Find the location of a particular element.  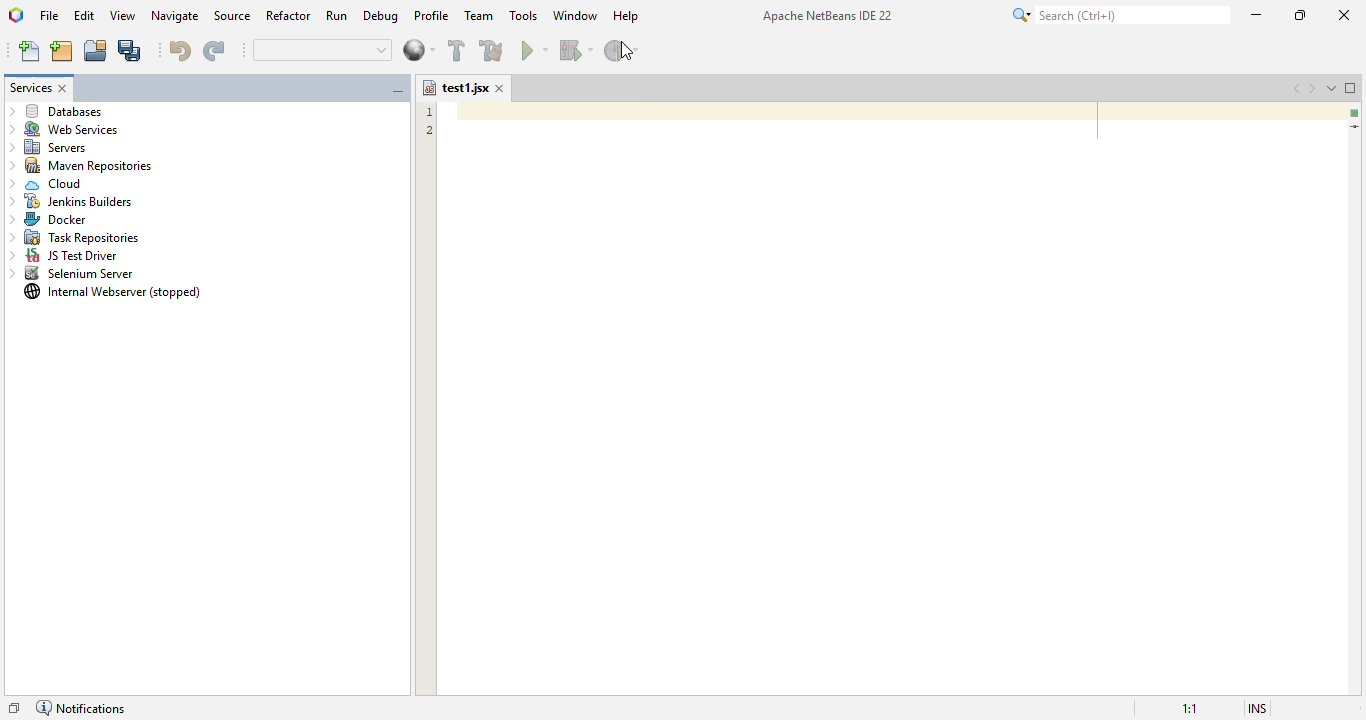

quick search bar is located at coordinates (322, 50).